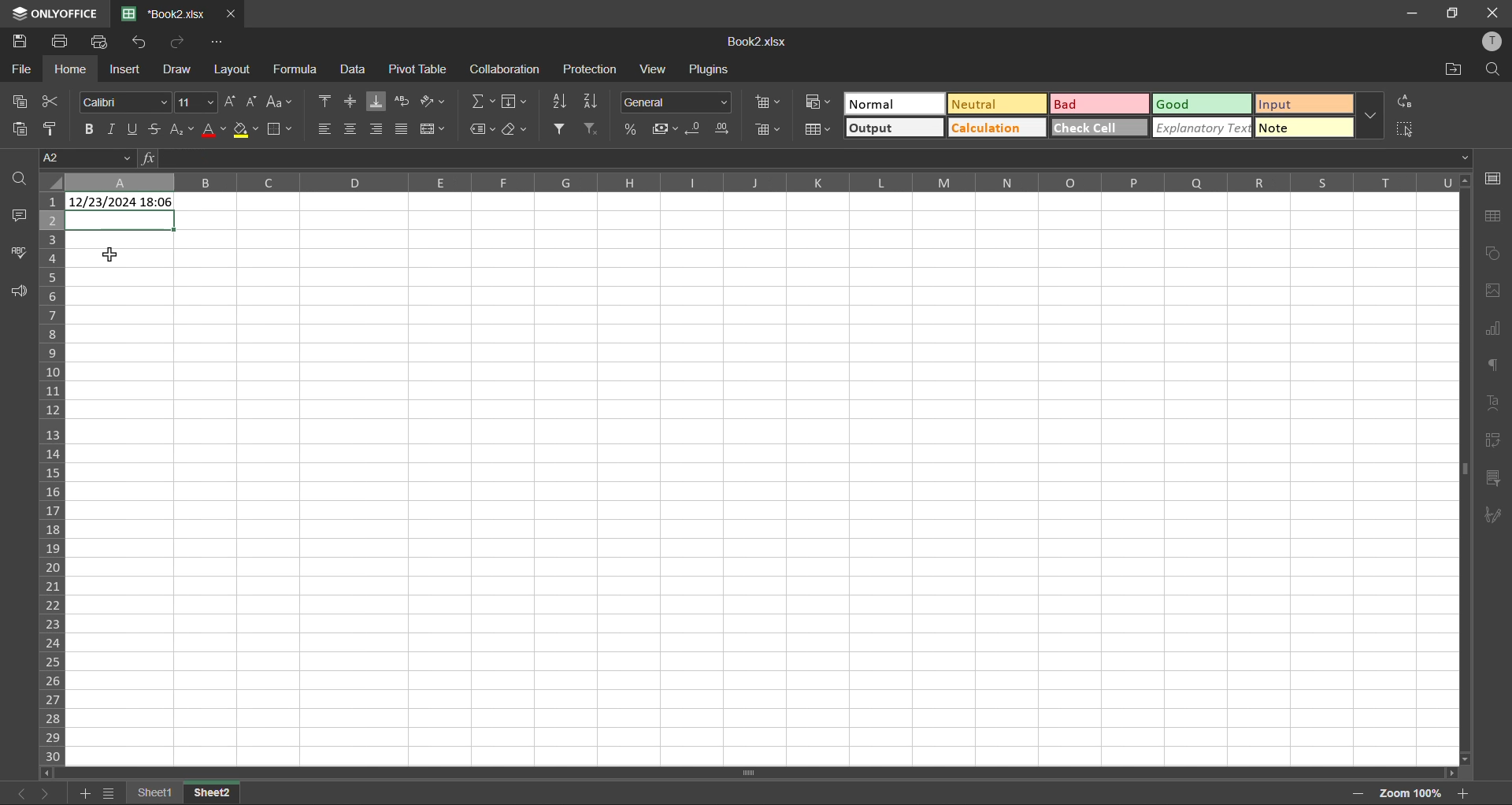 The image size is (1512, 805). I want to click on shapes, so click(1494, 254).